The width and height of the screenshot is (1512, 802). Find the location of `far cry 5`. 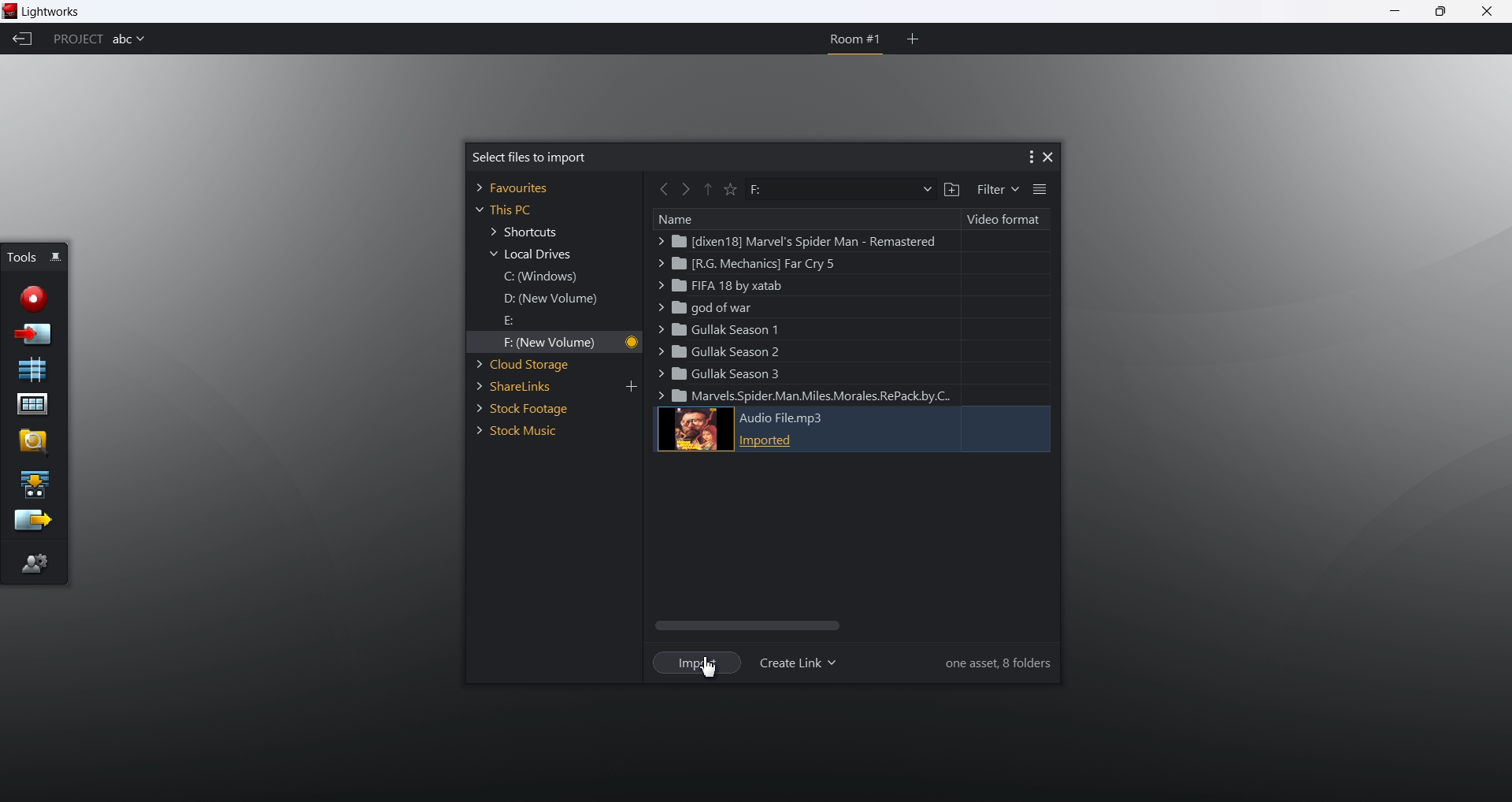

far cry 5 is located at coordinates (748, 264).